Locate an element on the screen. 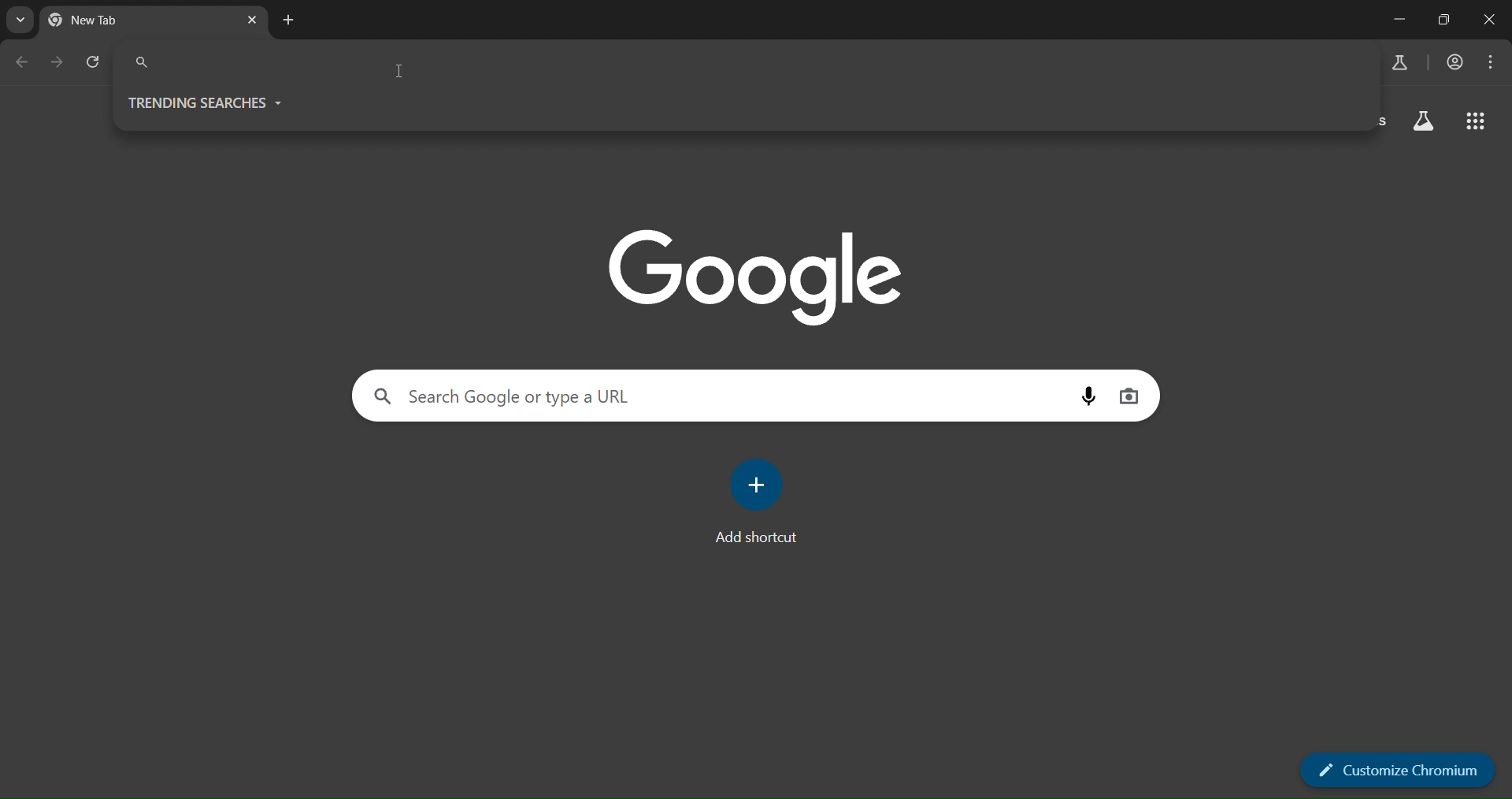 The height and width of the screenshot is (799, 1512). trending searches is located at coordinates (205, 103).